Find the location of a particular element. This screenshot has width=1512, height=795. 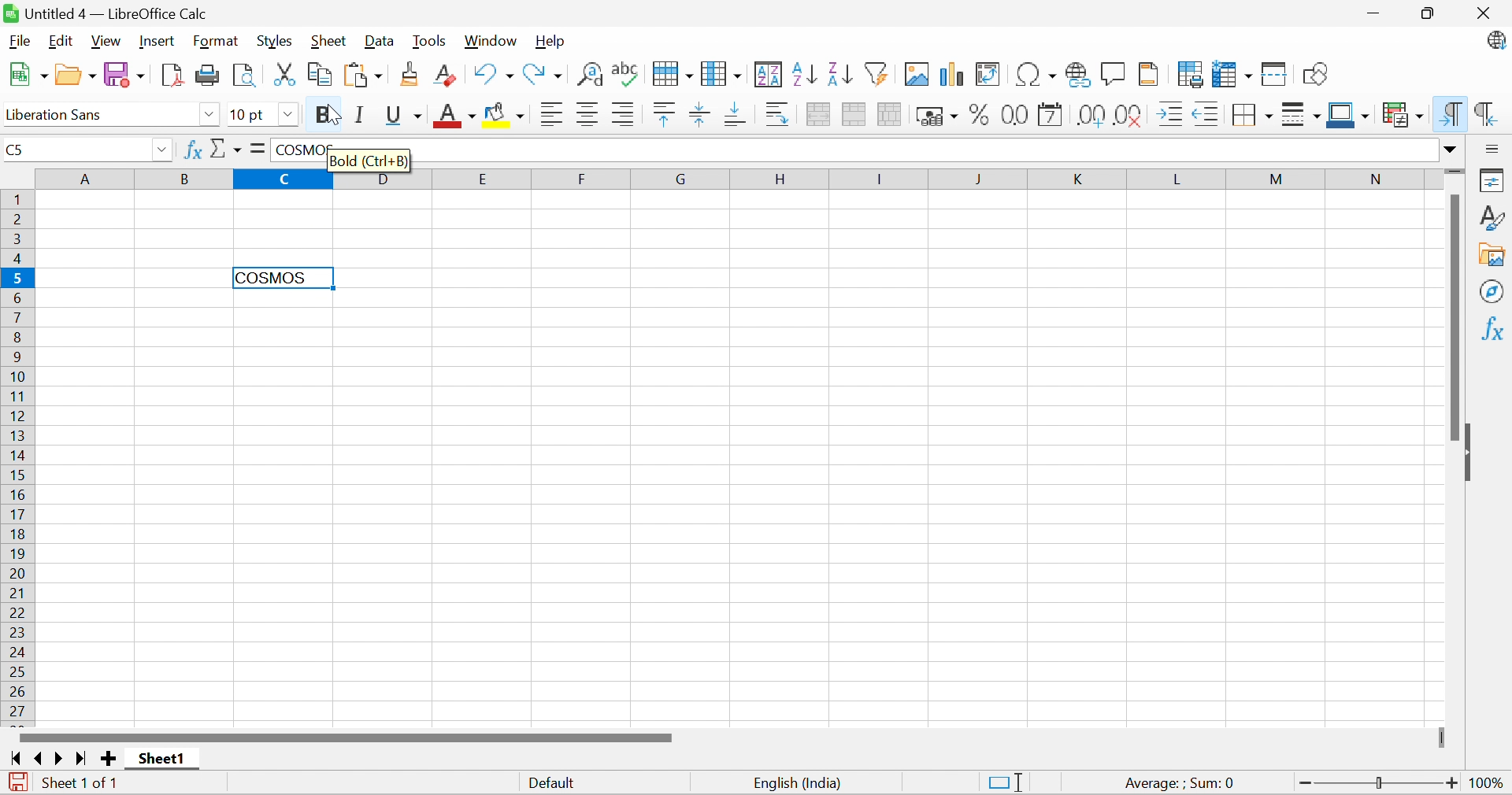

Underline is located at coordinates (402, 116).